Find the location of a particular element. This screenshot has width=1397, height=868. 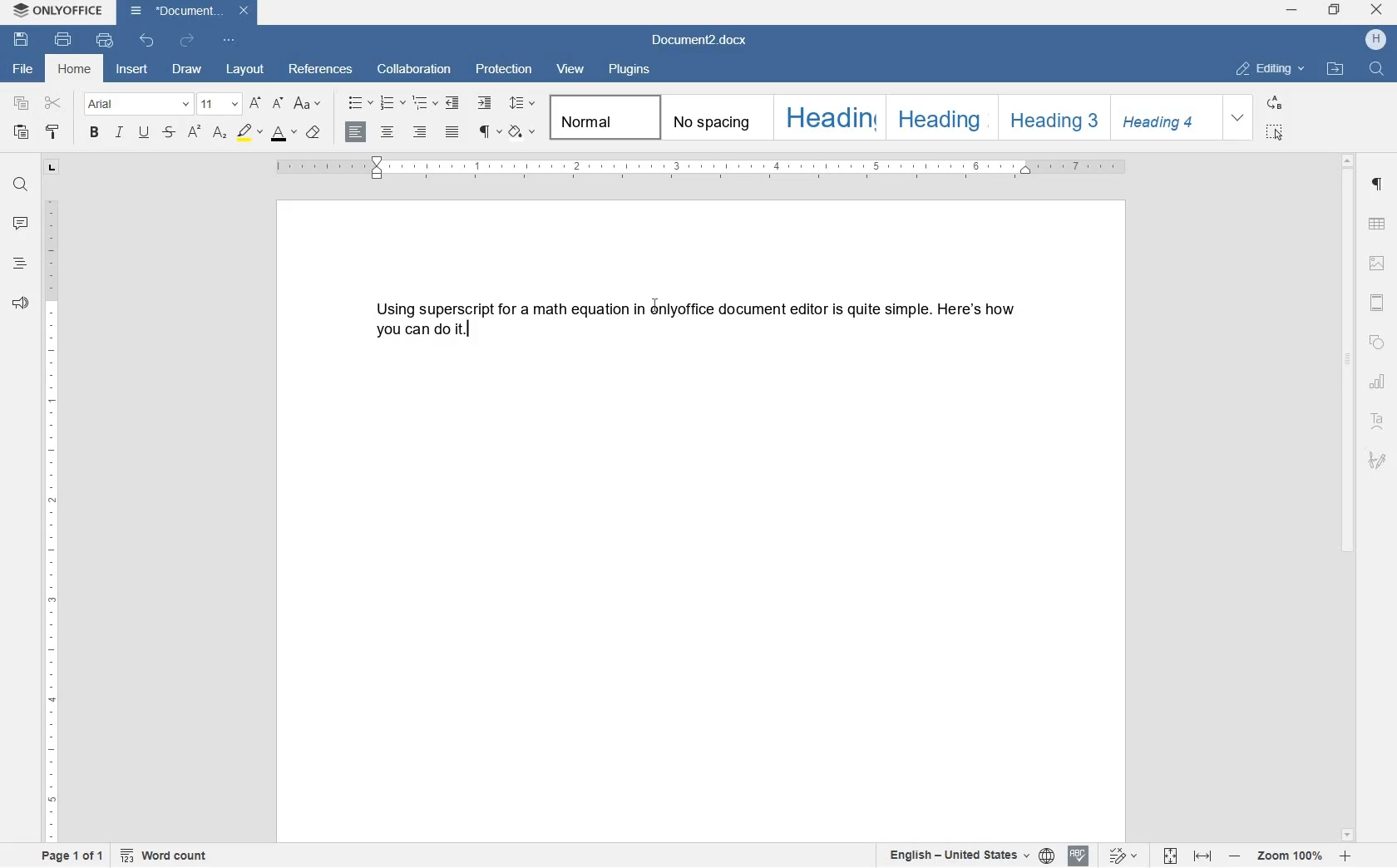

insert is located at coordinates (135, 68).